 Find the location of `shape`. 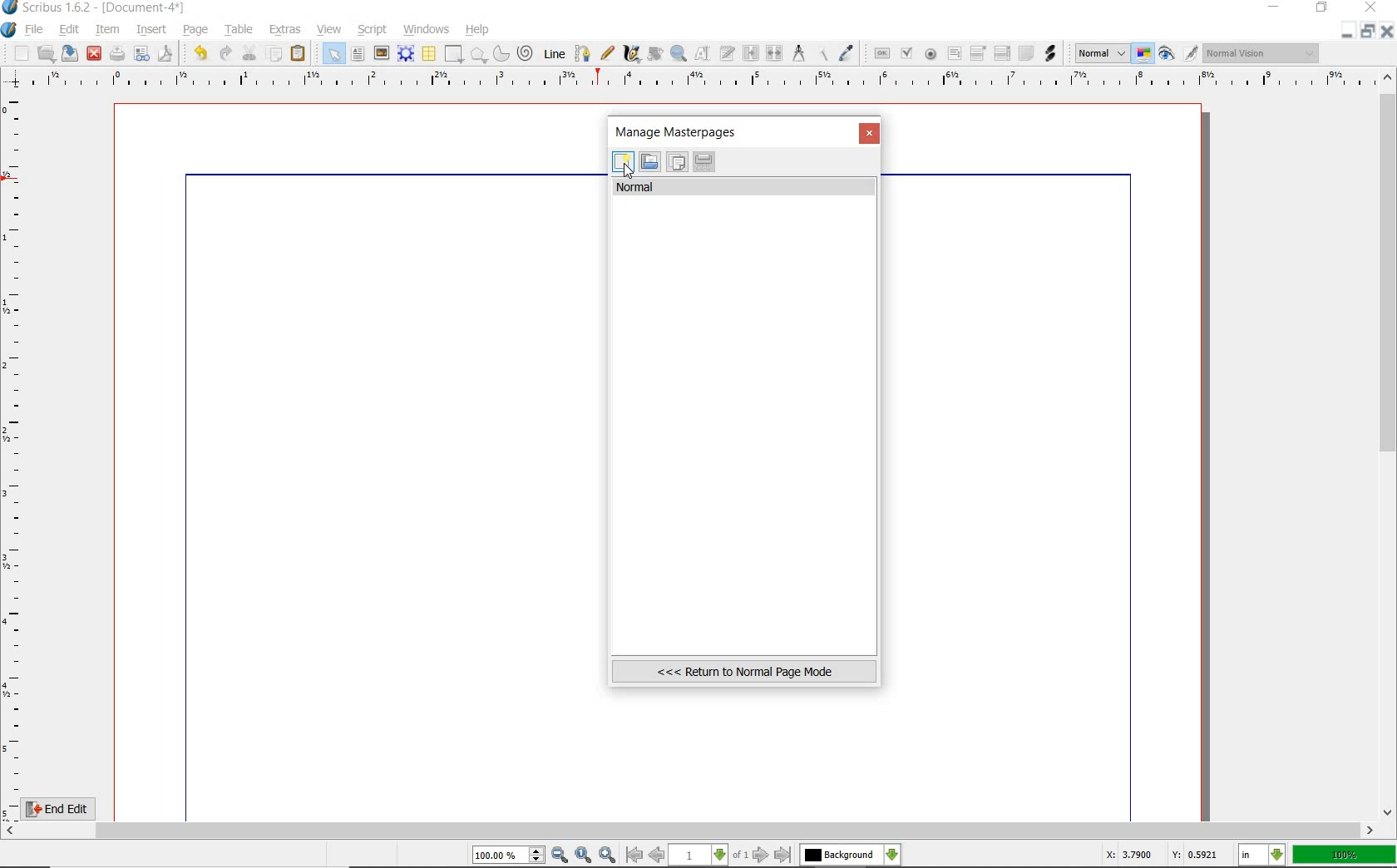

shape is located at coordinates (454, 55).